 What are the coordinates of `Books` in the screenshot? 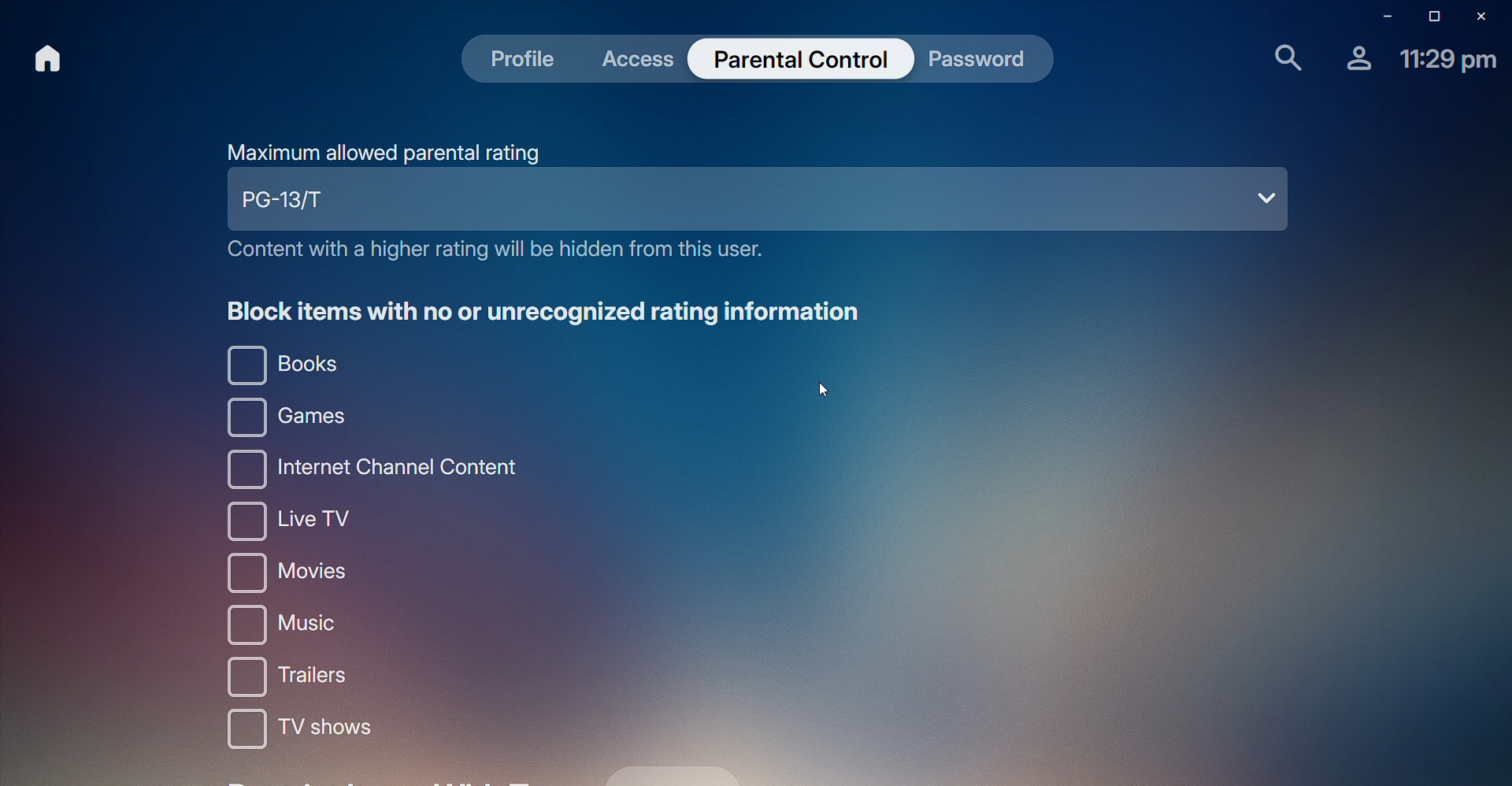 It's located at (284, 365).